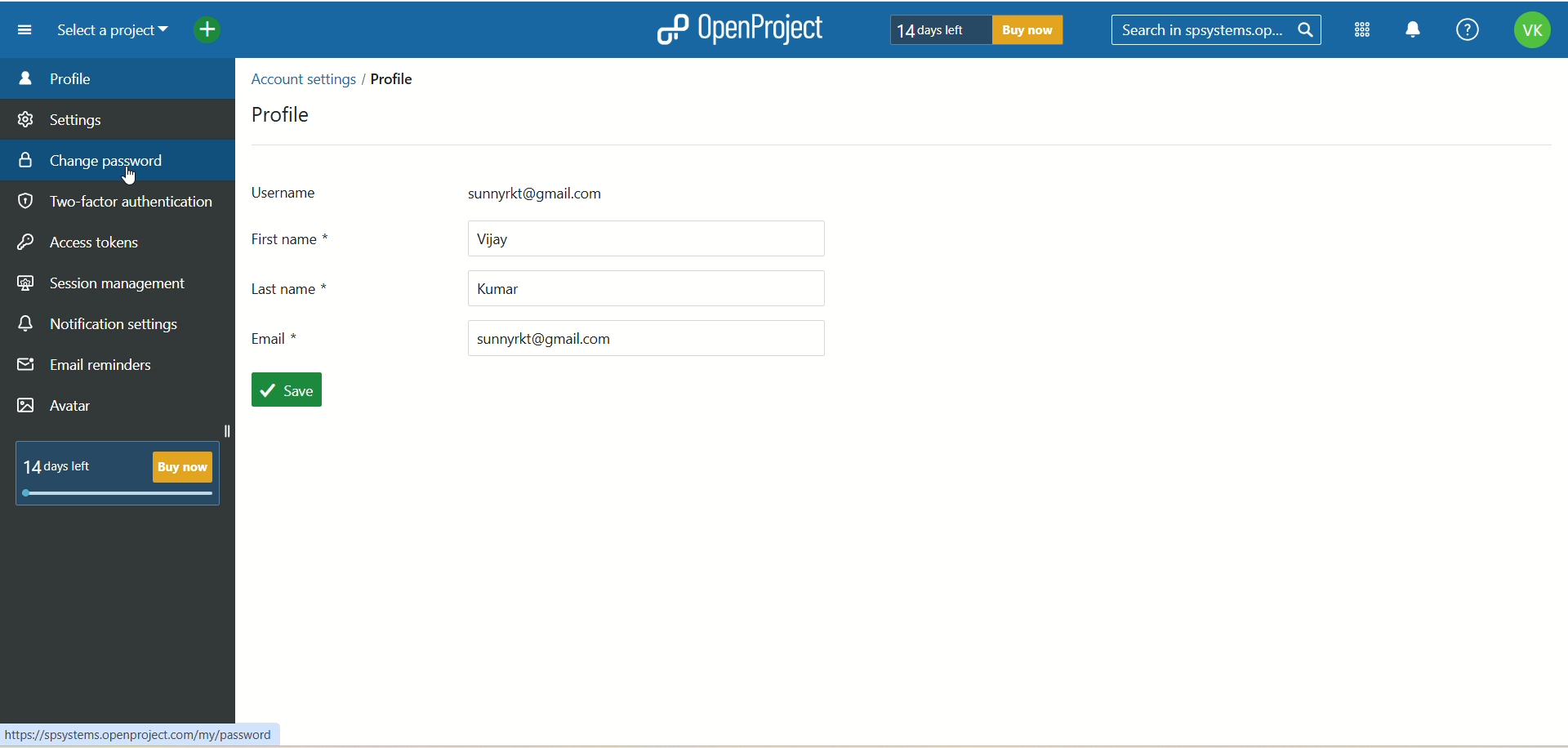  What do you see at coordinates (58, 407) in the screenshot?
I see `avatar` at bounding box center [58, 407].